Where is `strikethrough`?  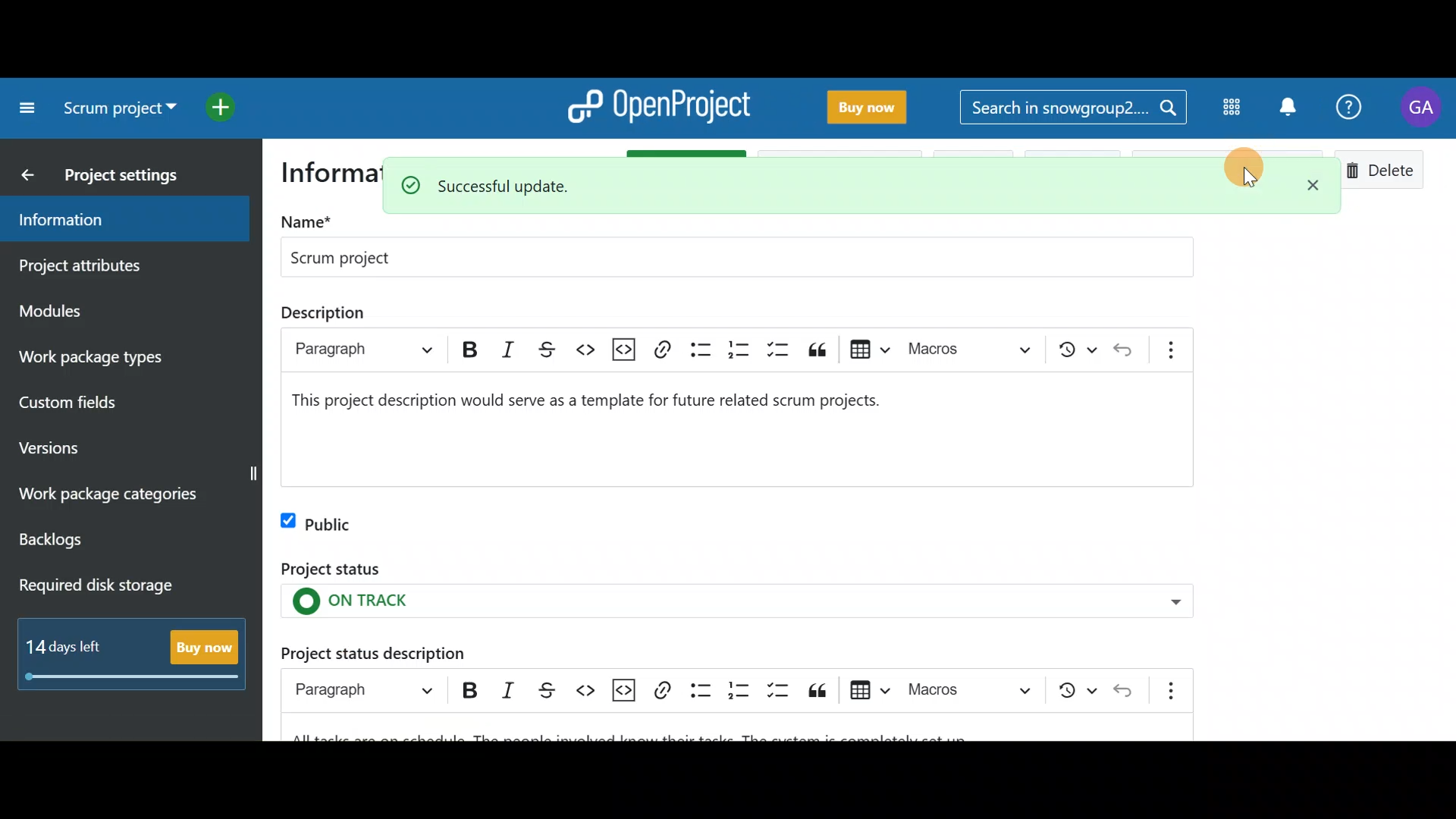
strikethrough is located at coordinates (546, 350).